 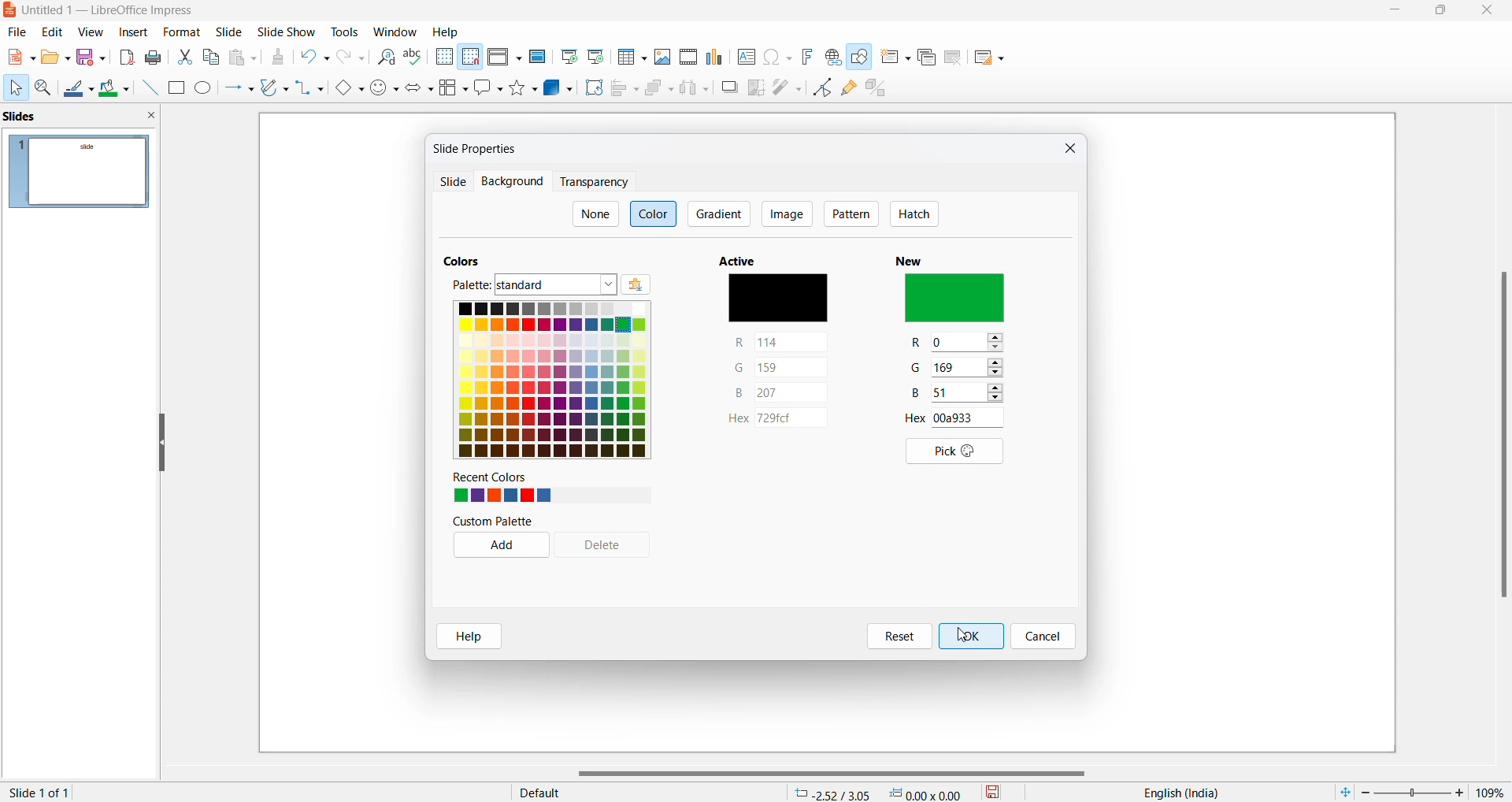 I want to click on color palette, so click(x=550, y=380).